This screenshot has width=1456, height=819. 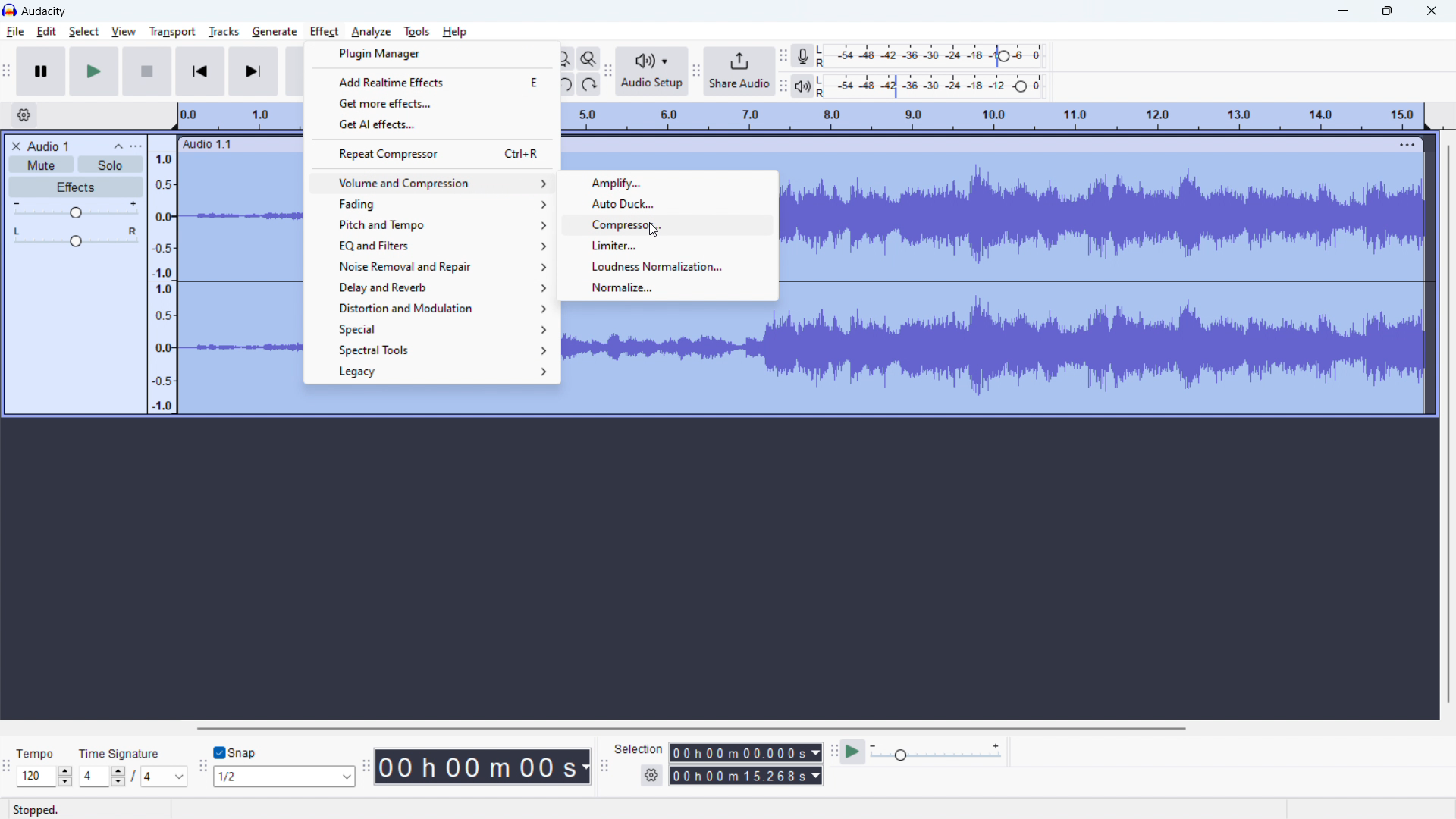 I want to click on vertical scrollbar, so click(x=1449, y=419).